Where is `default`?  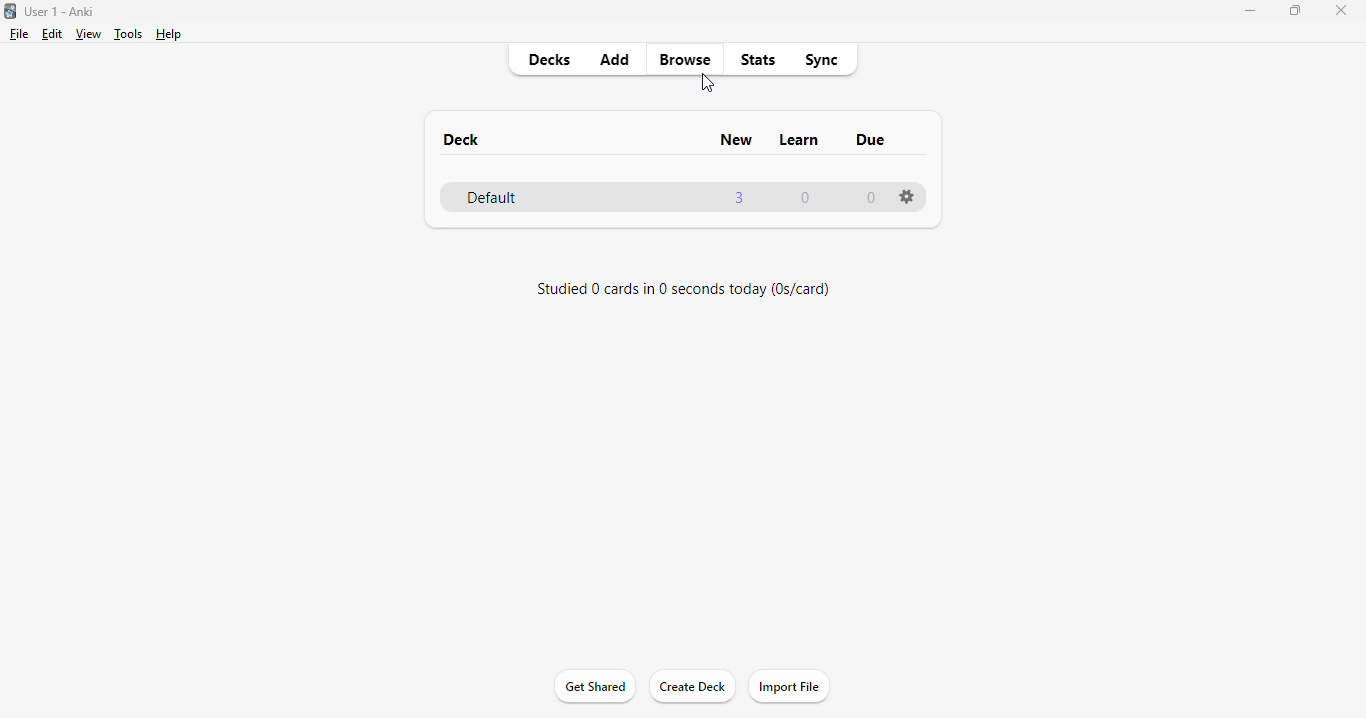 default is located at coordinates (492, 197).